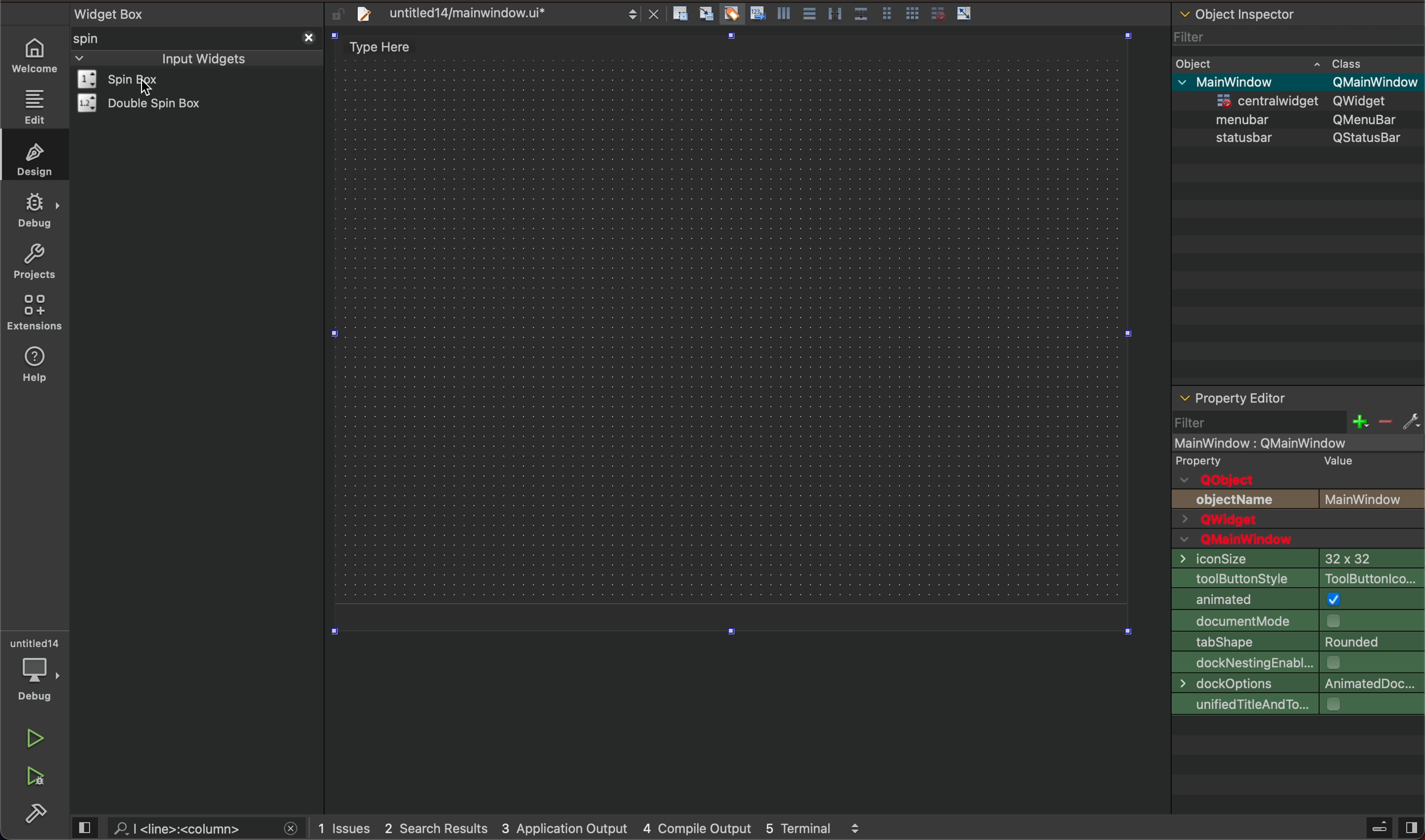 The height and width of the screenshot is (840, 1425). I want to click on close, so click(307, 36).